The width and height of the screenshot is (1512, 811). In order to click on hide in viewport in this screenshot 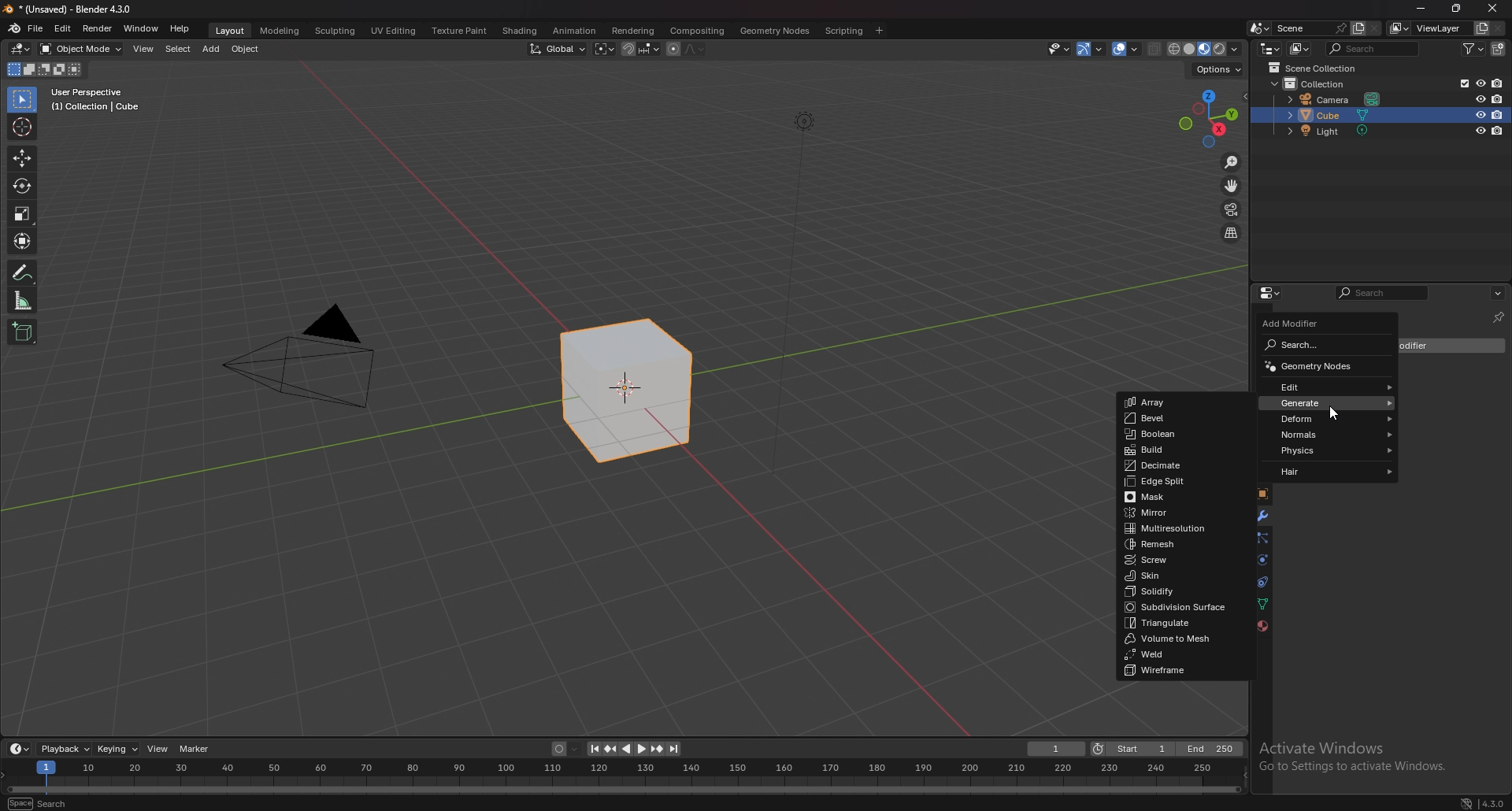, I will do `click(1479, 130)`.